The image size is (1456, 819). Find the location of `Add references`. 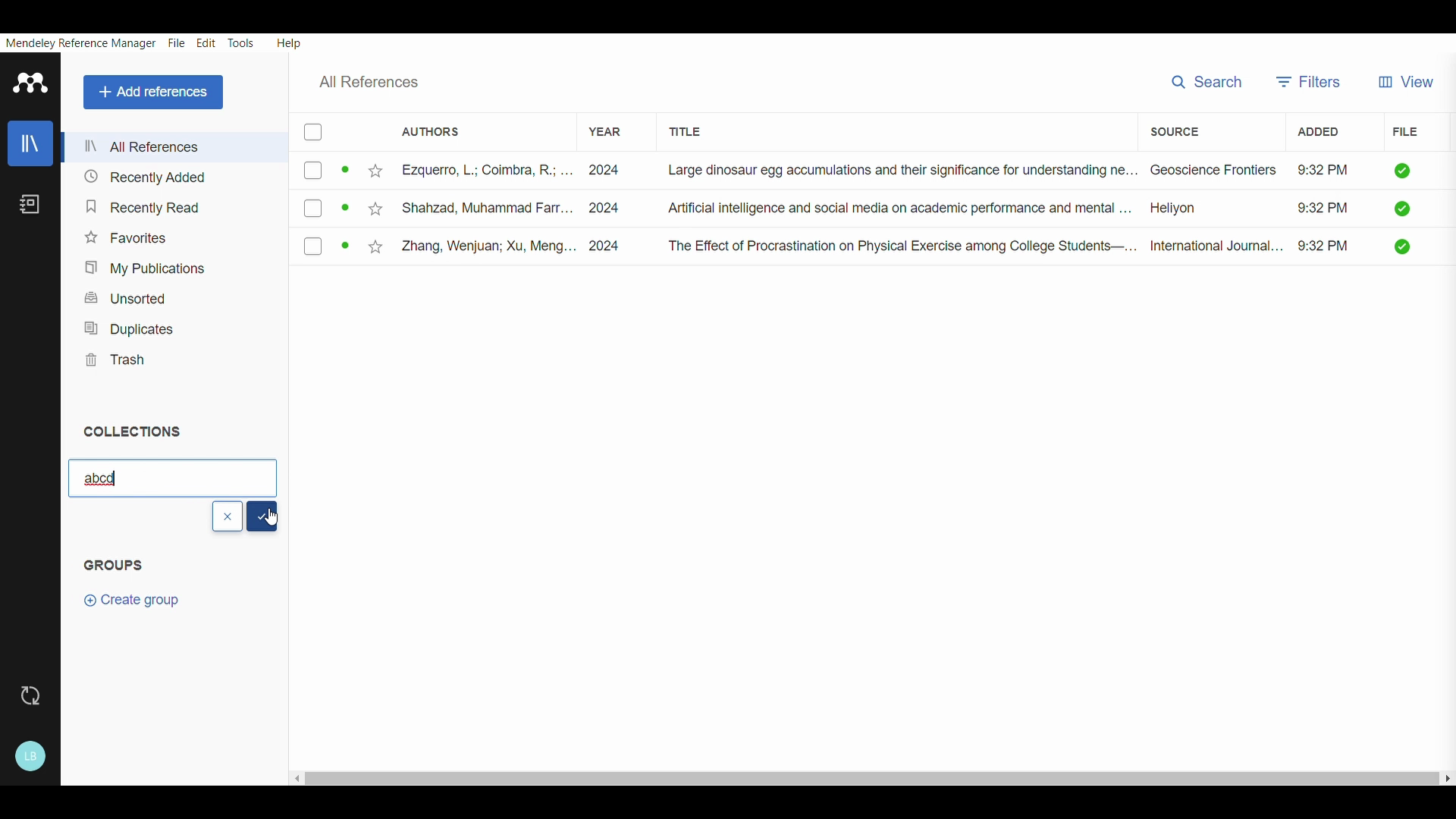

Add references is located at coordinates (151, 90).